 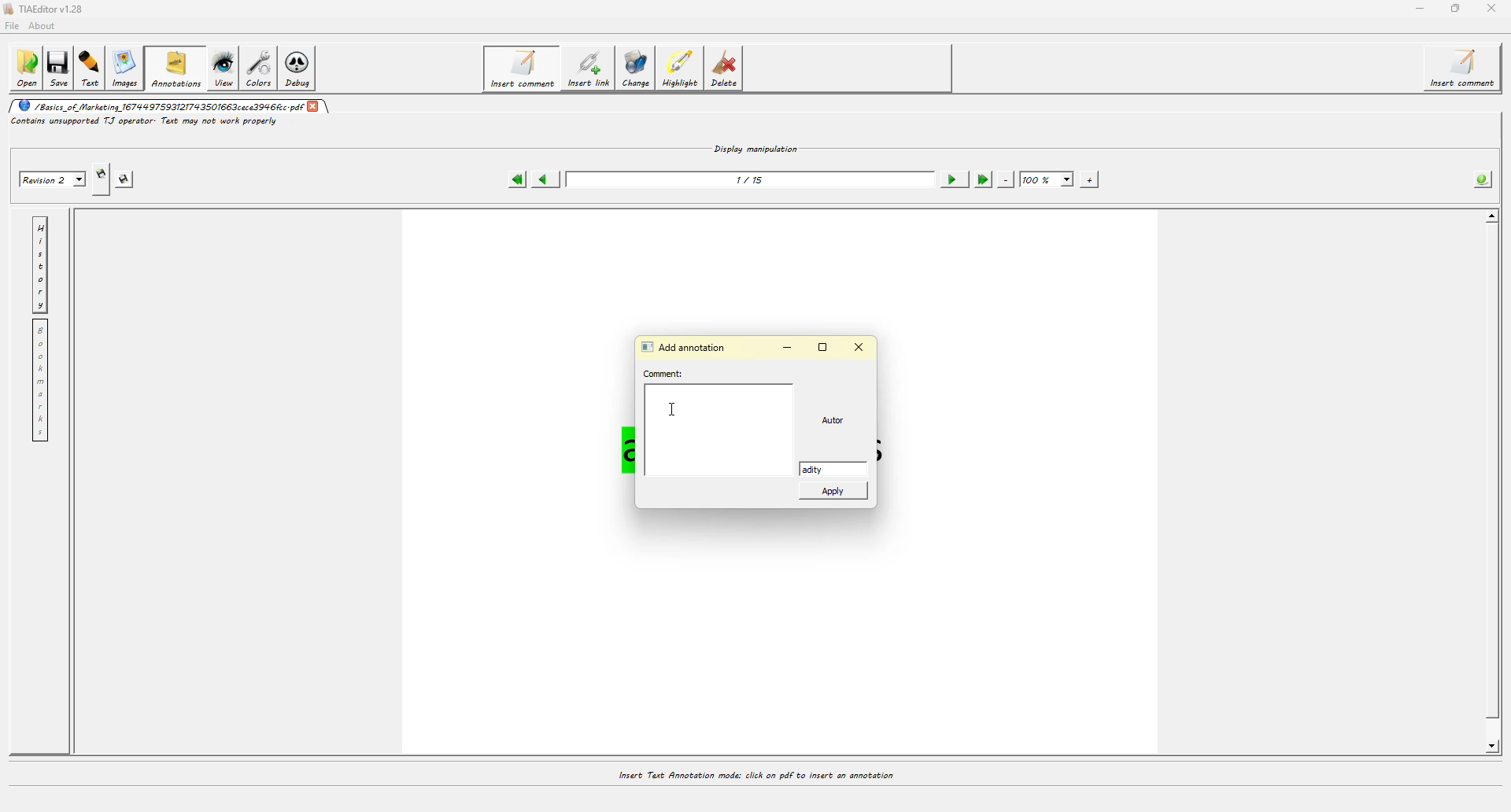 I want to click on Contains unsupported T.J operator: Text may not work properly, so click(x=145, y=122).